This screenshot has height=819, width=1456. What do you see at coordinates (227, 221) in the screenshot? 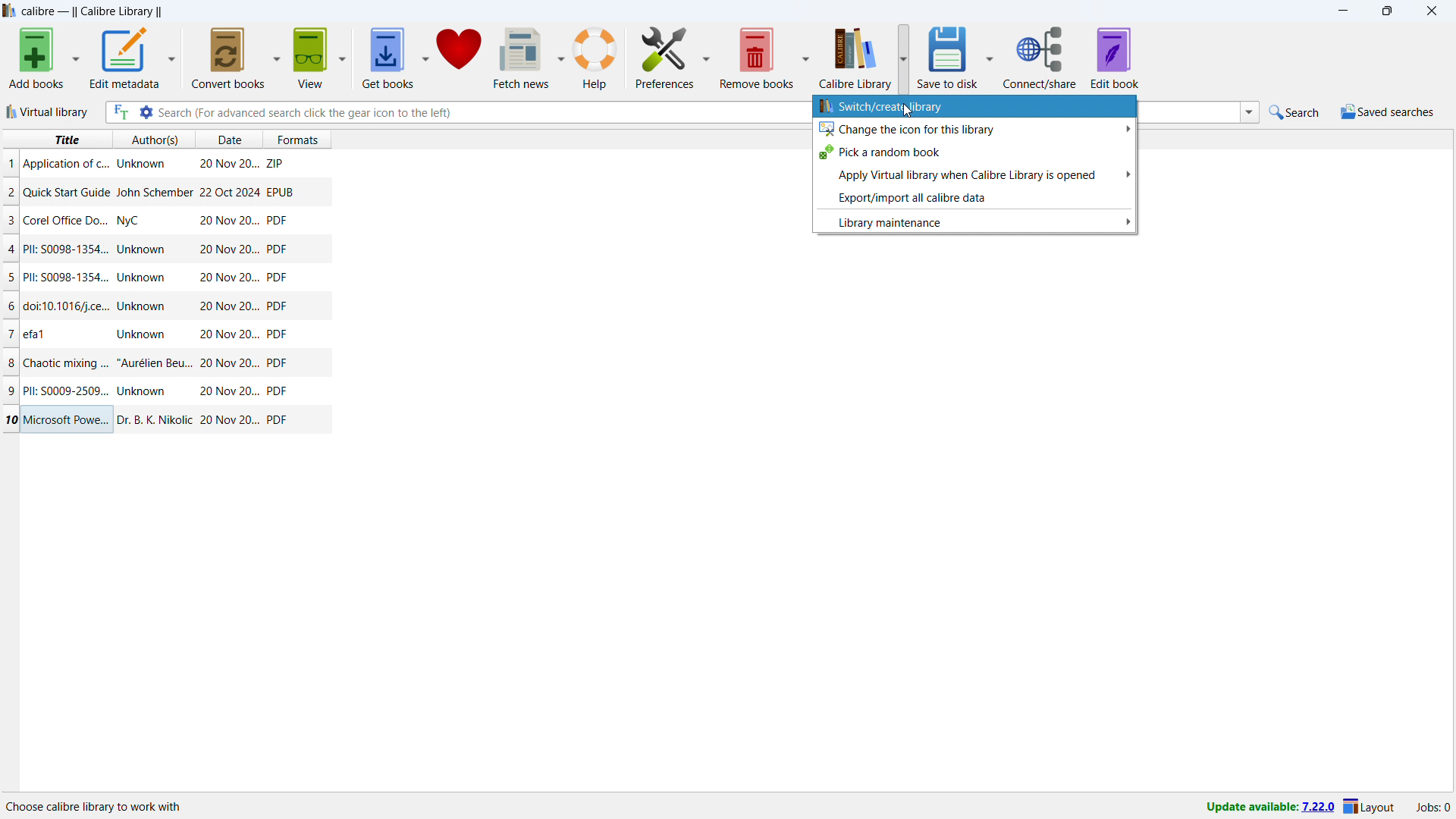
I see `Date` at bounding box center [227, 221].